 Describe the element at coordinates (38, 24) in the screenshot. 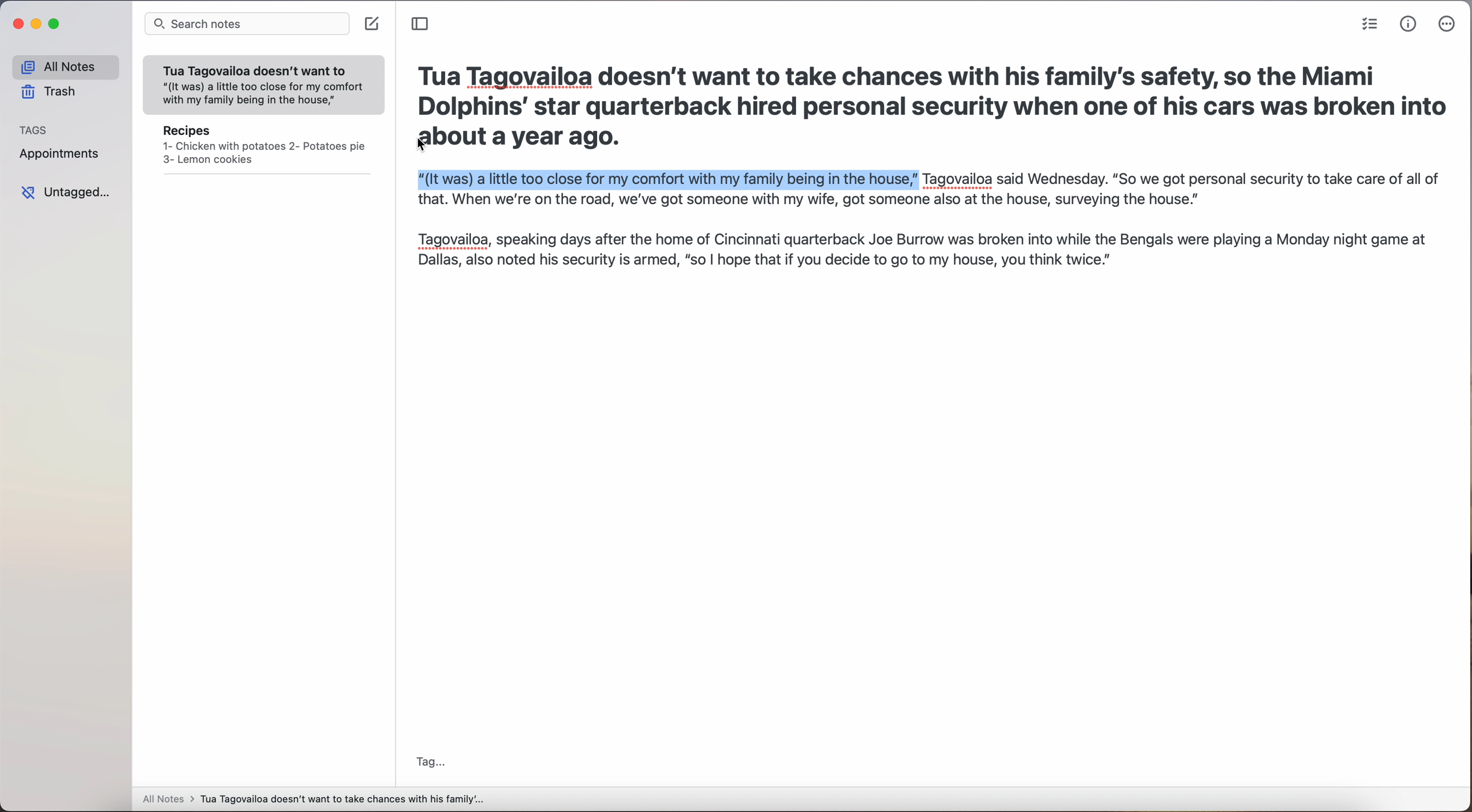

I see `minimize Simplenote` at that location.